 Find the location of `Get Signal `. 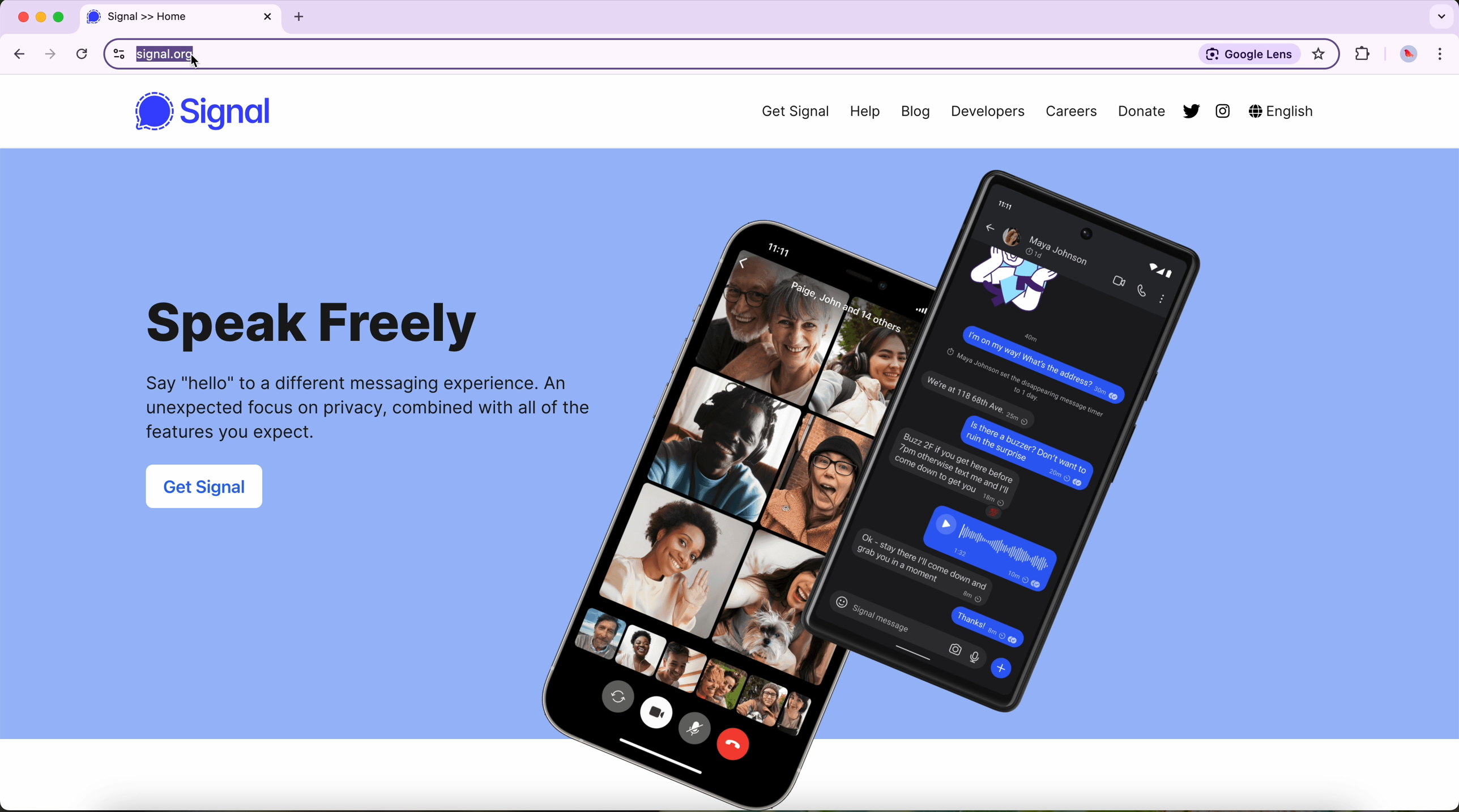

Get Signal  is located at coordinates (207, 489).